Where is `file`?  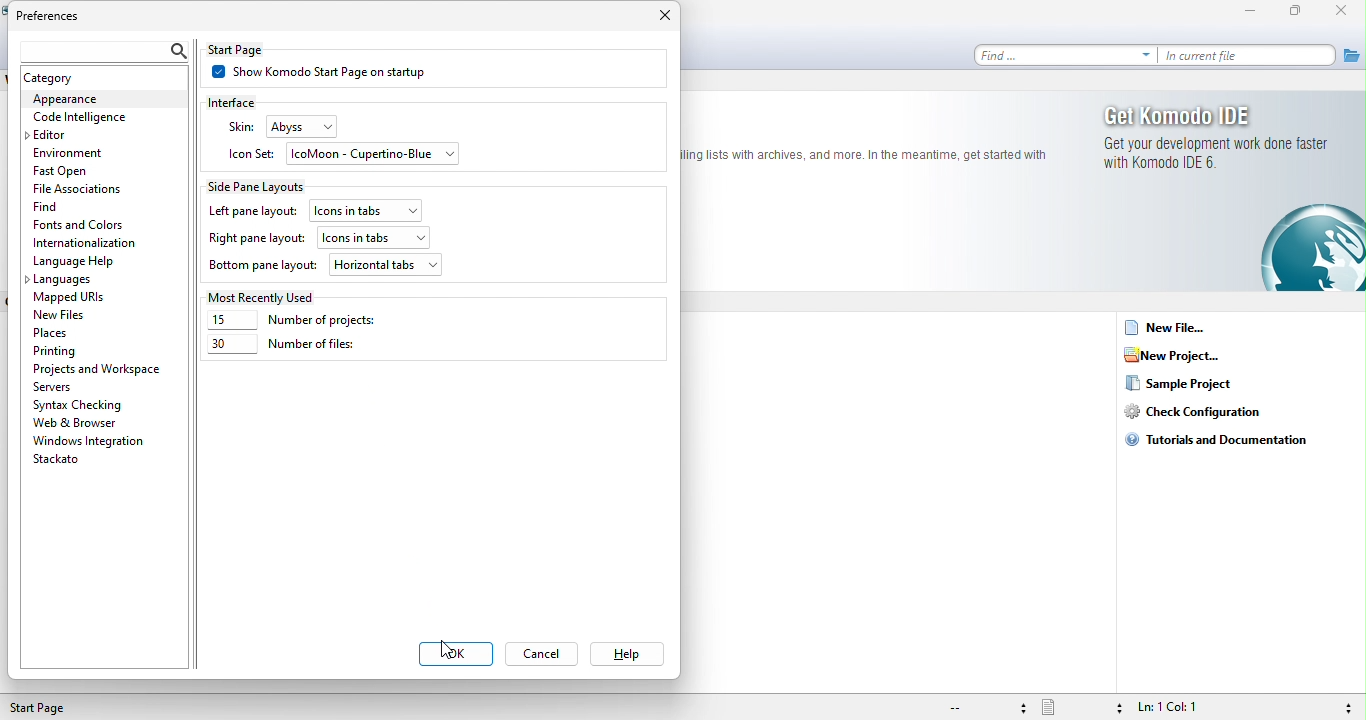
file is located at coordinates (1351, 54).